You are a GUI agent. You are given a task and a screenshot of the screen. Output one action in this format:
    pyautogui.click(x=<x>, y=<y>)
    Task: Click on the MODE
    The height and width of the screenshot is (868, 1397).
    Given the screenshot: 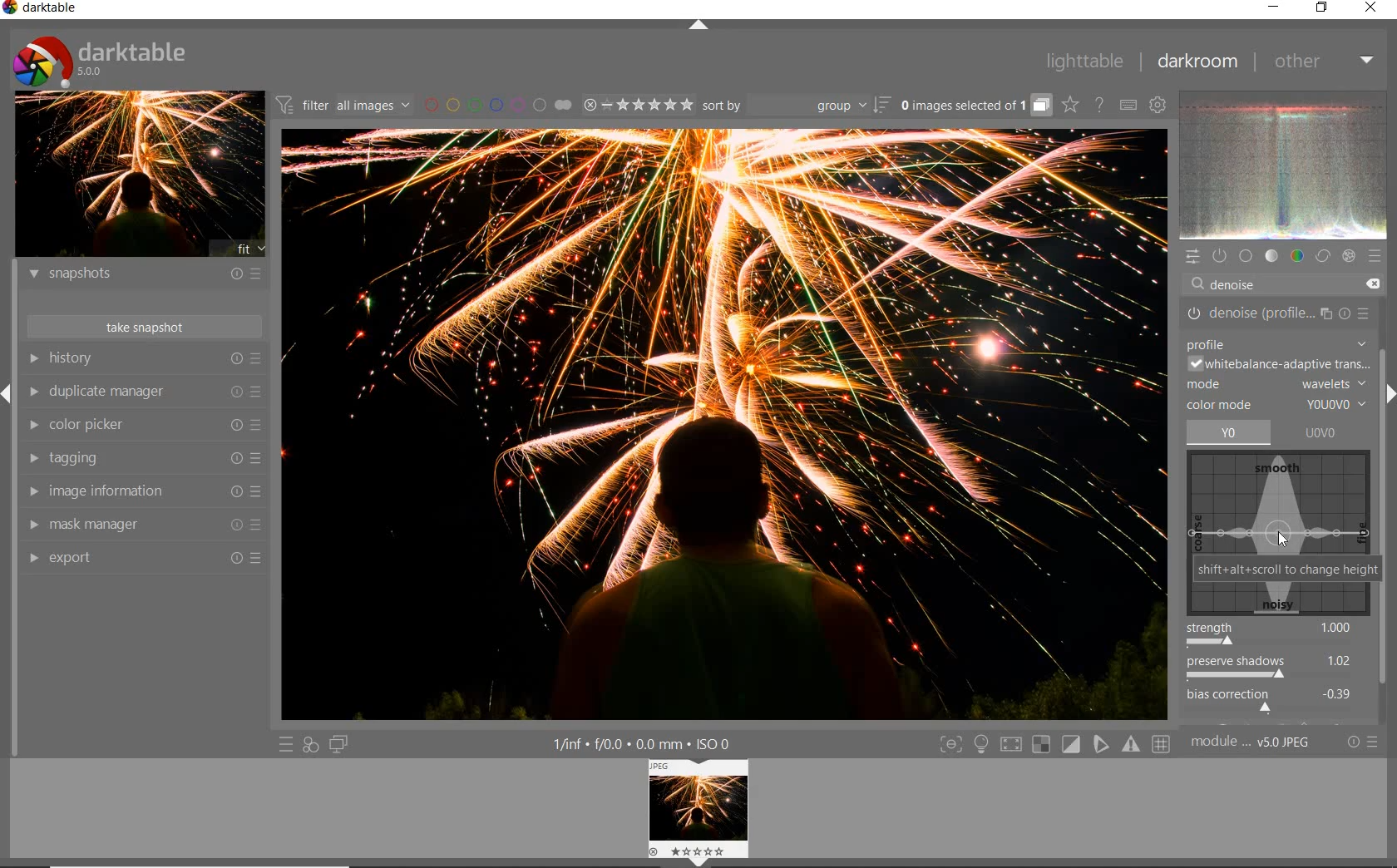 What is the action you would take?
    pyautogui.click(x=1277, y=386)
    